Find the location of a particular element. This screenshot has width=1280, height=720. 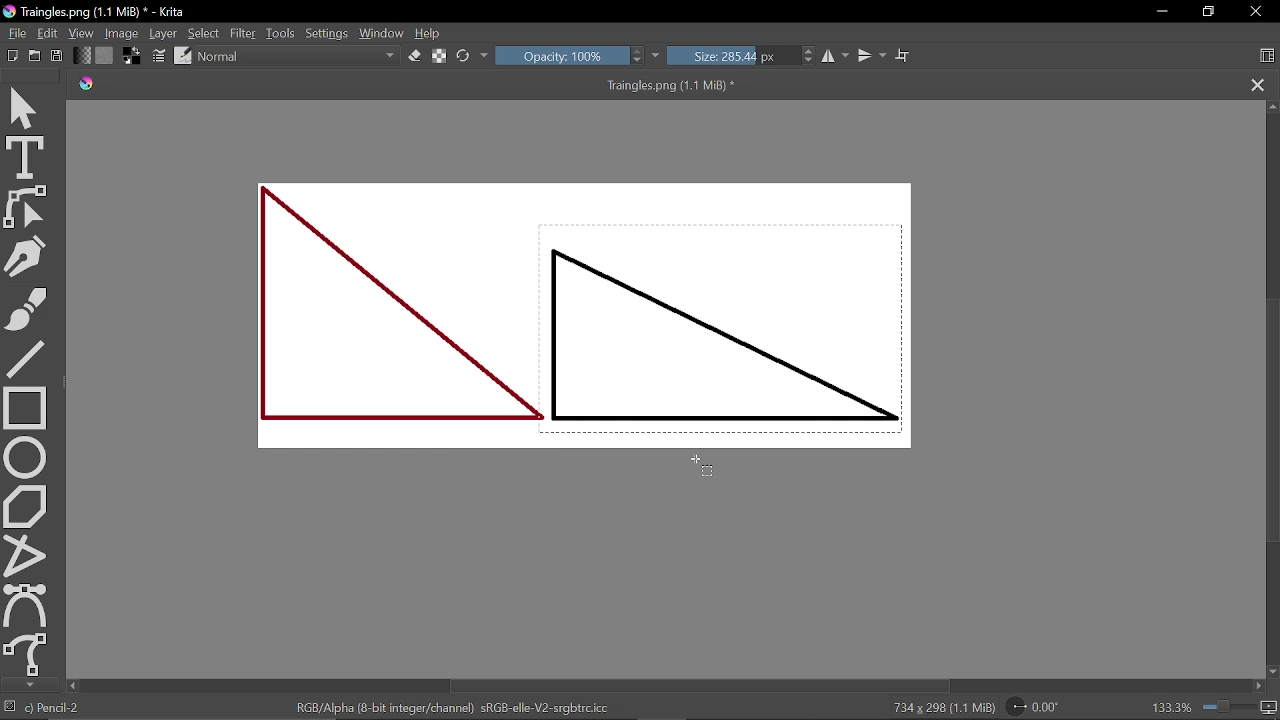

View is located at coordinates (81, 33).